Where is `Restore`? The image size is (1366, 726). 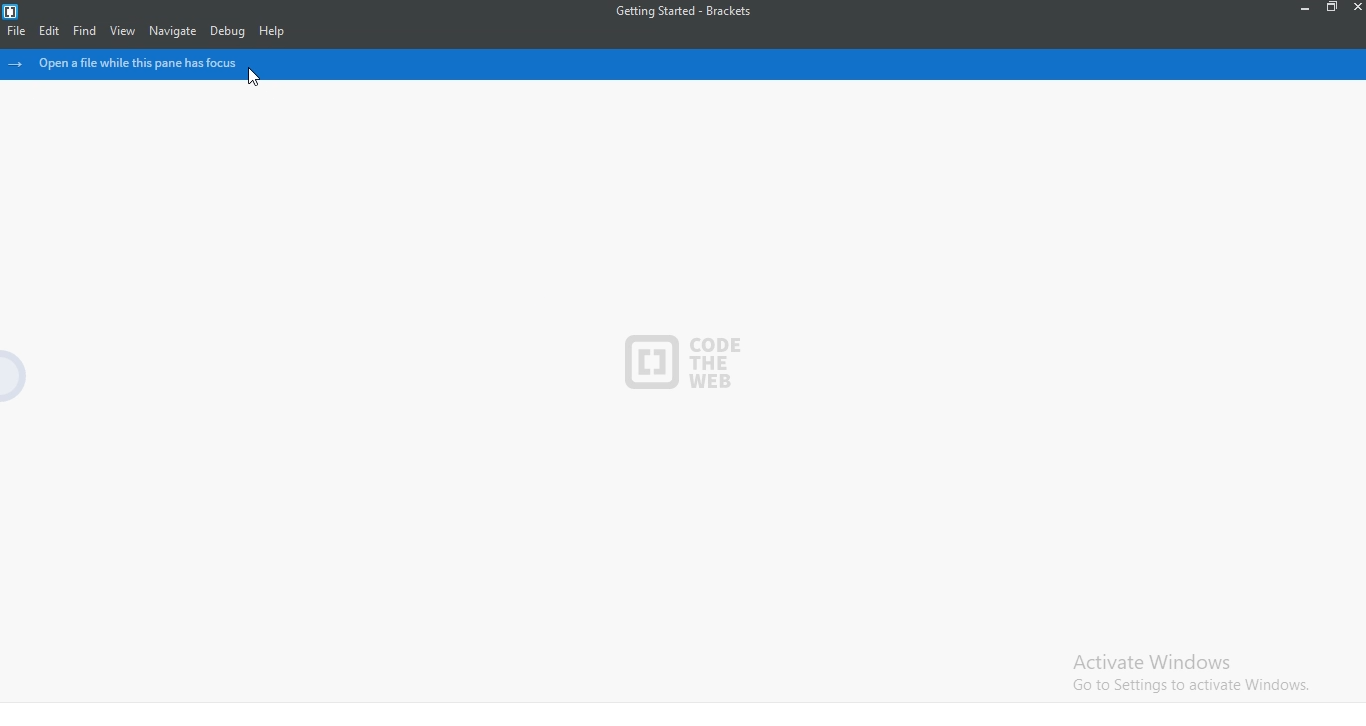 Restore is located at coordinates (1332, 8).